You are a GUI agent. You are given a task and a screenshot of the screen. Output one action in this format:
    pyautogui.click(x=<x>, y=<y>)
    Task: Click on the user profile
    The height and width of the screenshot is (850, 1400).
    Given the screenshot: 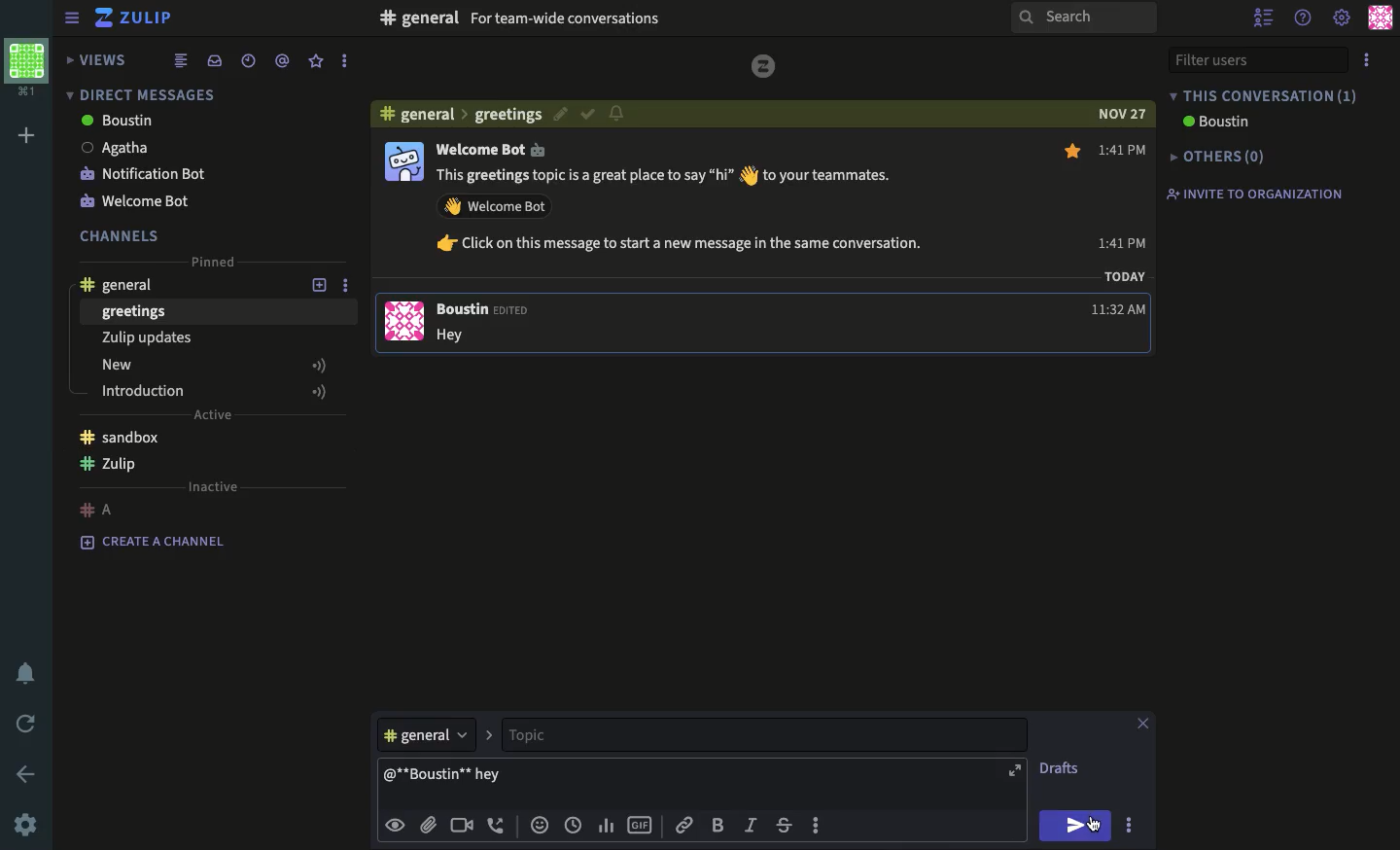 What is the action you would take?
    pyautogui.click(x=403, y=239)
    